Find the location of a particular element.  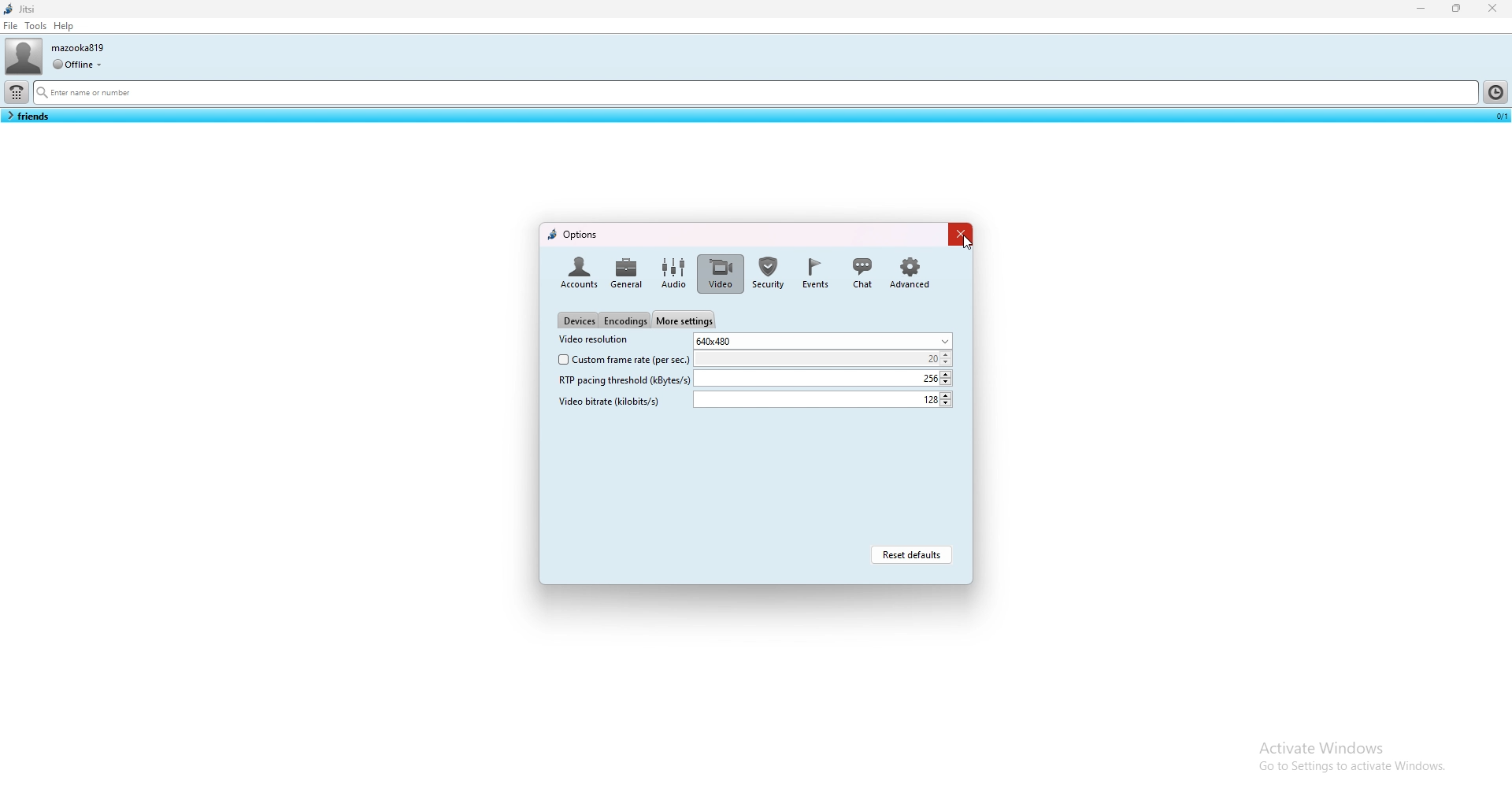

Accounts is located at coordinates (576, 271).